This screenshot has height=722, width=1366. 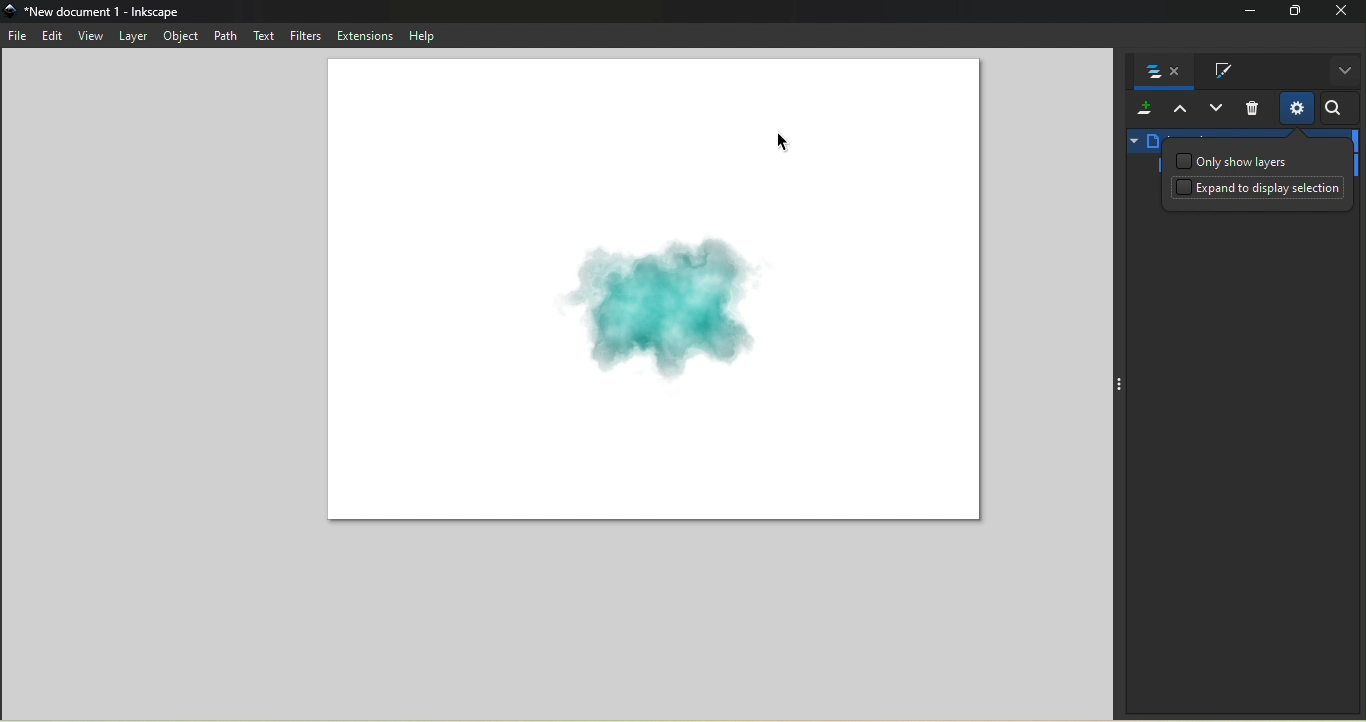 I want to click on app icon, so click(x=12, y=11).